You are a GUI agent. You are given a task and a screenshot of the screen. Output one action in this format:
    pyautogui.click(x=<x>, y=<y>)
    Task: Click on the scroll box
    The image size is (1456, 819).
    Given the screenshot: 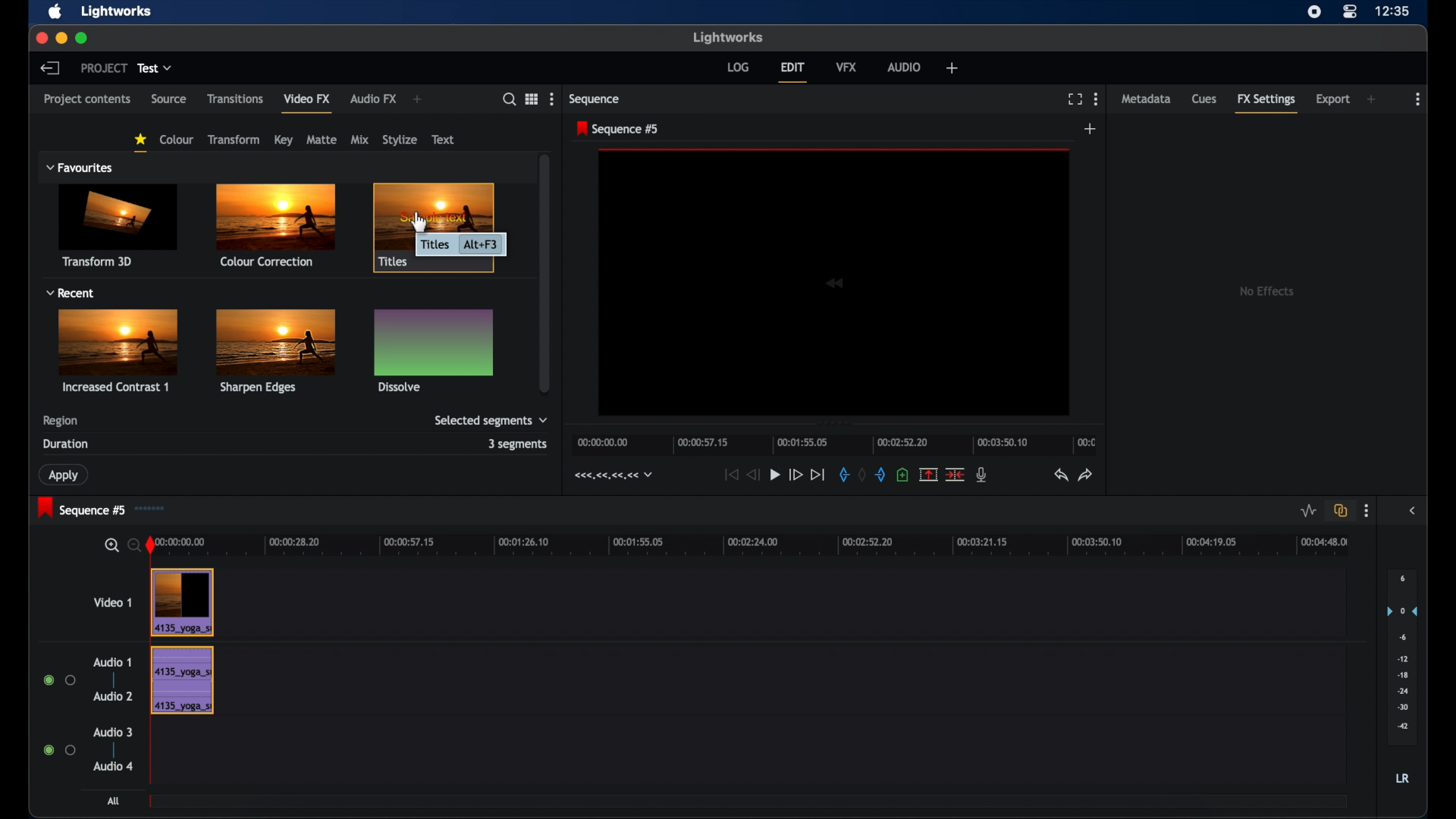 What is the action you would take?
    pyautogui.click(x=546, y=273)
    